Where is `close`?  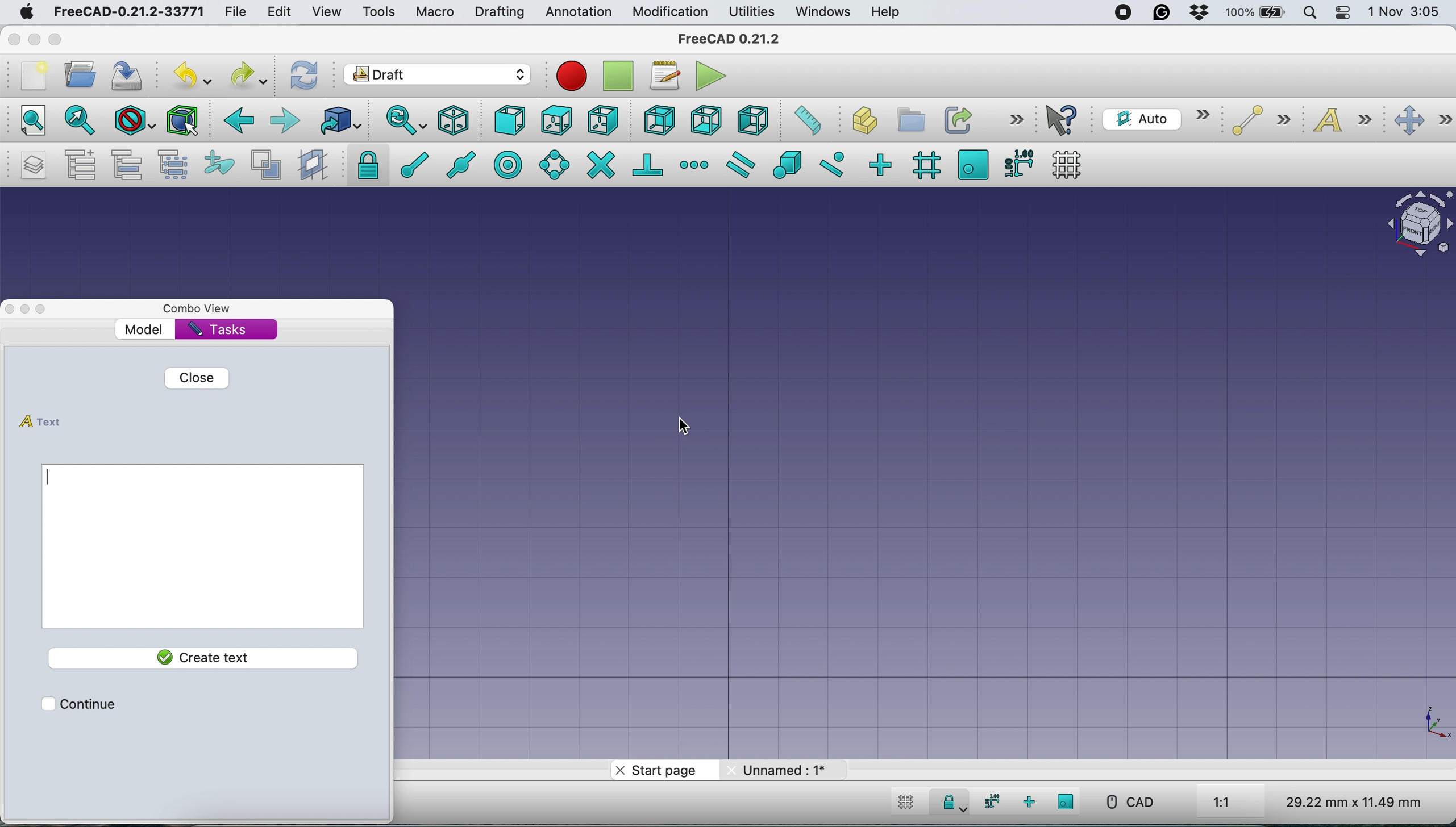 close is located at coordinates (9, 306).